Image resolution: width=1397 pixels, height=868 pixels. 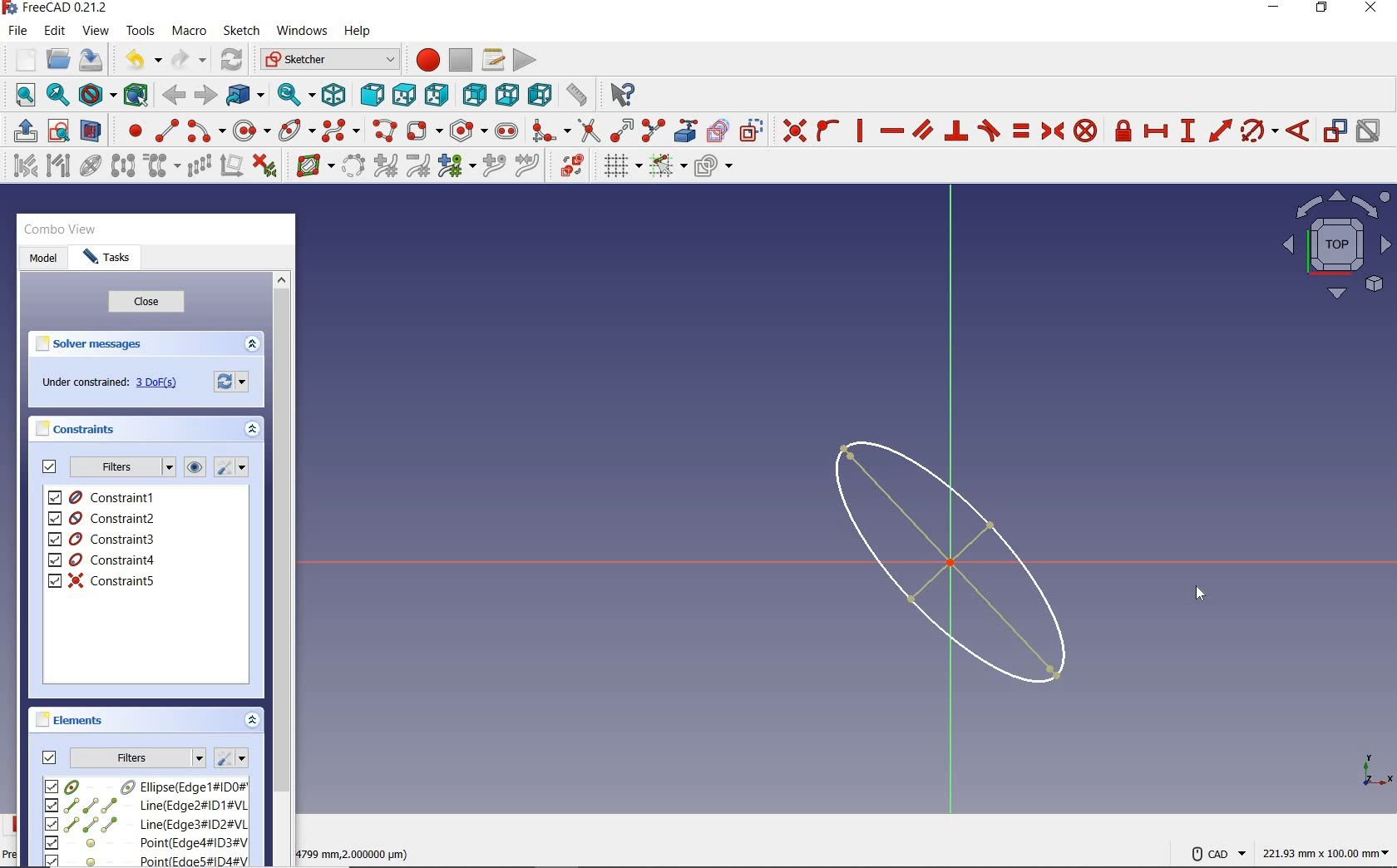 What do you see at coordinates (921, 129) in the screenshot?
I see `constrain parallel` at bounding box center [921, 129].